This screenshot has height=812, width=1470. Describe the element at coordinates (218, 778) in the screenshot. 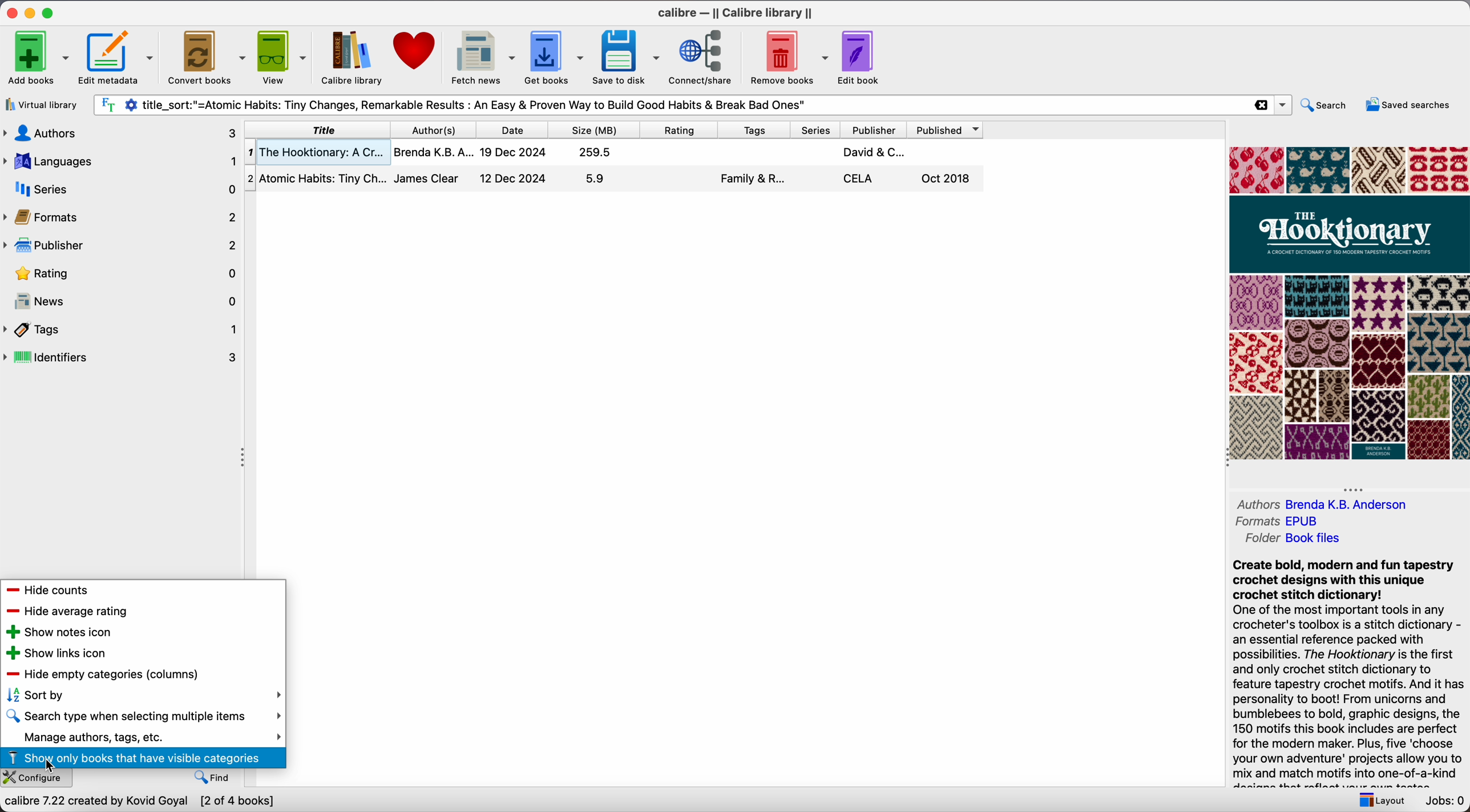

I see `Find` at that location.